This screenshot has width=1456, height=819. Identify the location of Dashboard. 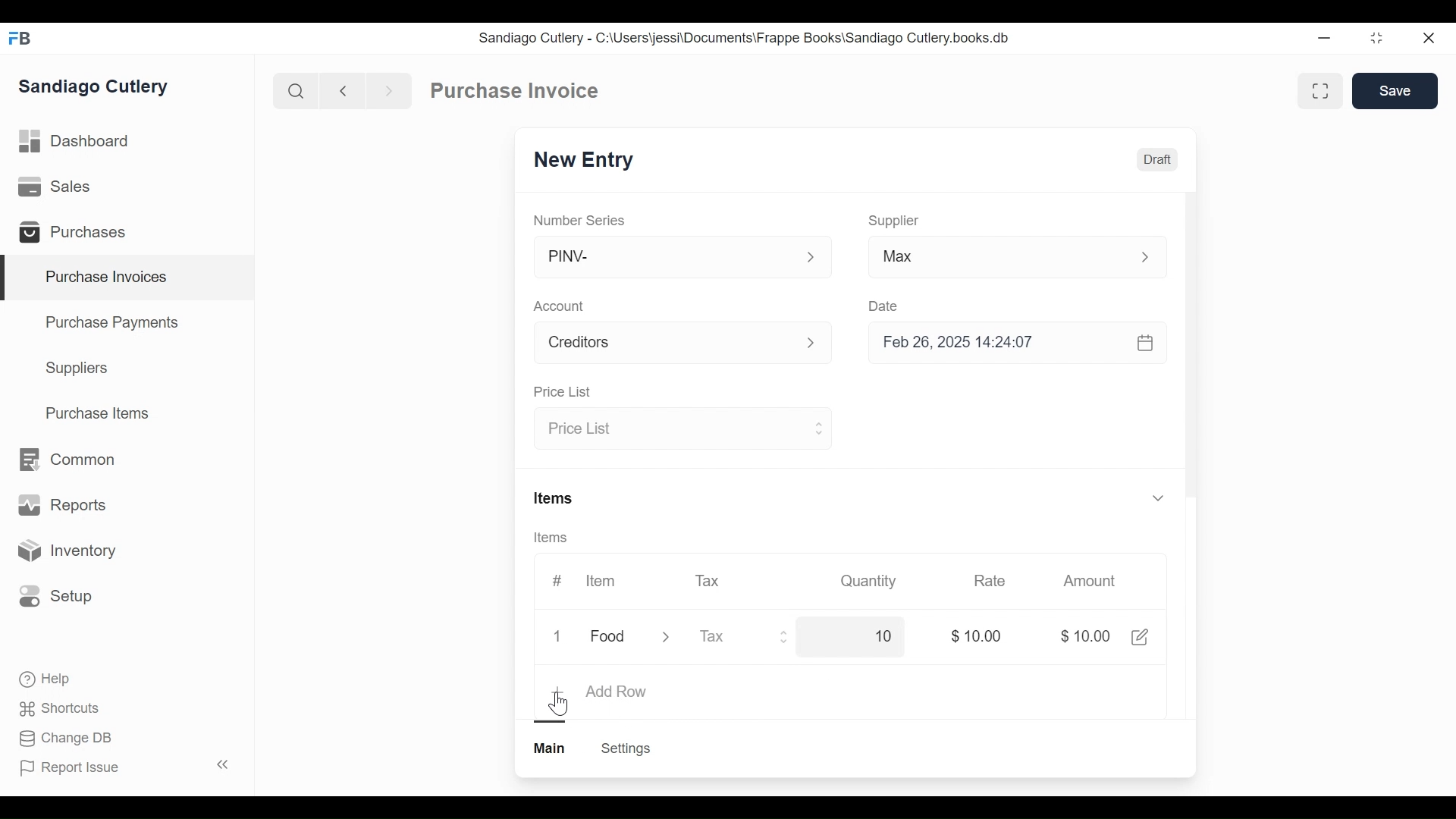
(76, 142).